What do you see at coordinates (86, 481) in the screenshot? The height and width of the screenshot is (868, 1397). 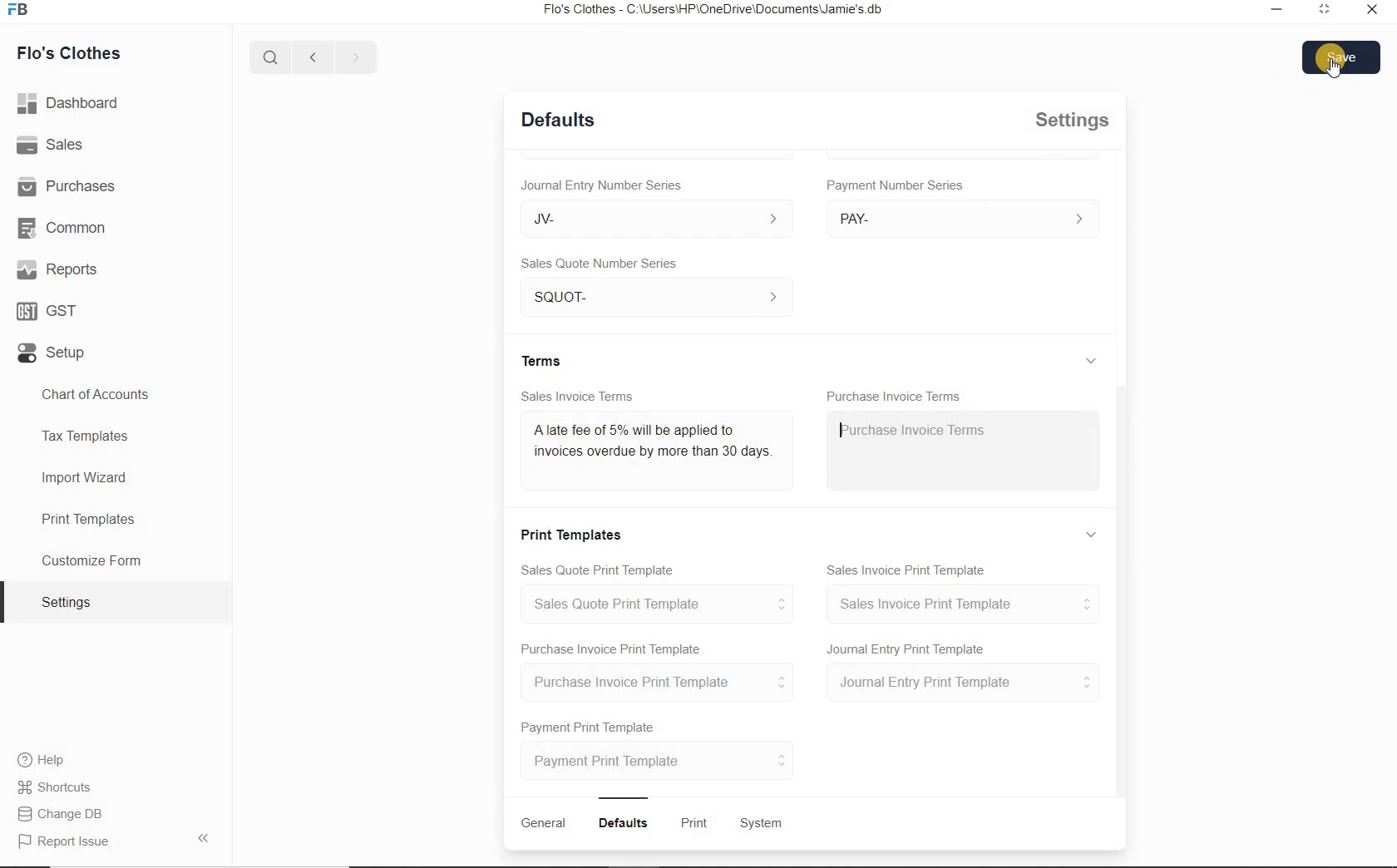 I see `Import Wizard` at bounding box center [86, 481].